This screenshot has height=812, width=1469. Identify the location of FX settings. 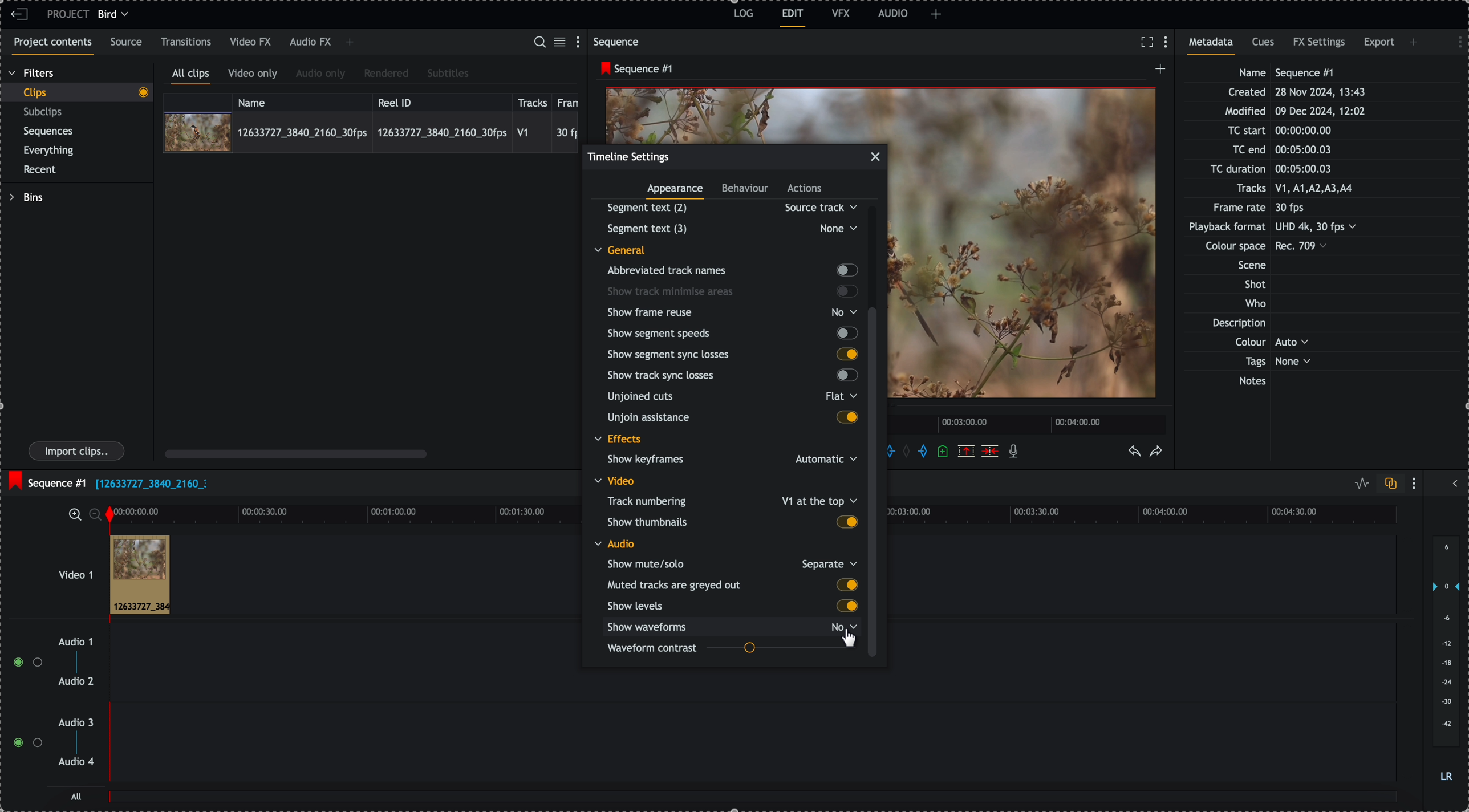
(1320, 44).